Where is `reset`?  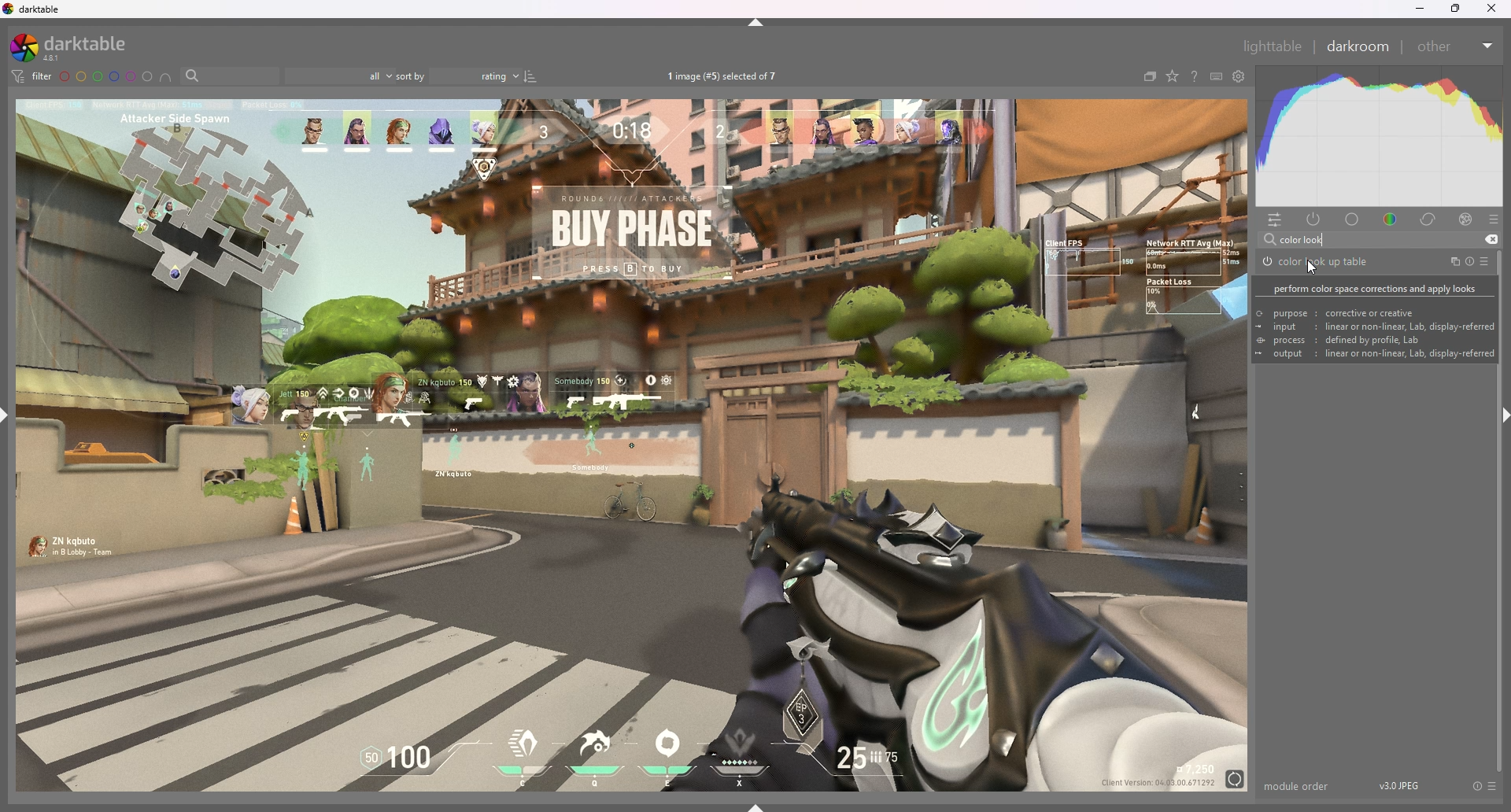
reset is located at coordinates (1470, 261).